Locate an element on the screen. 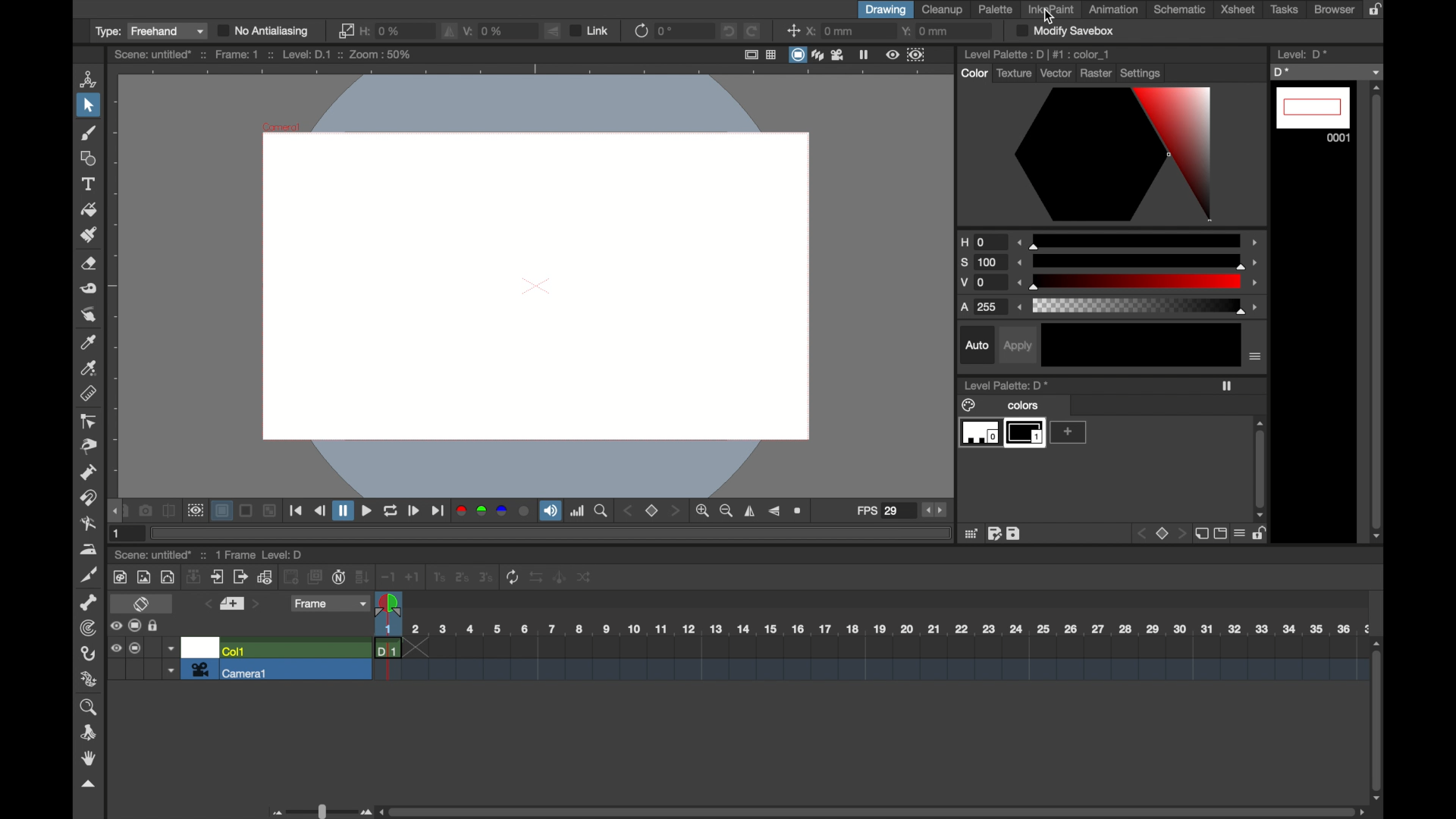 Image resolution: width=1456 pixels, height=819 pixels. 2 is located at coordinates (462, 577).